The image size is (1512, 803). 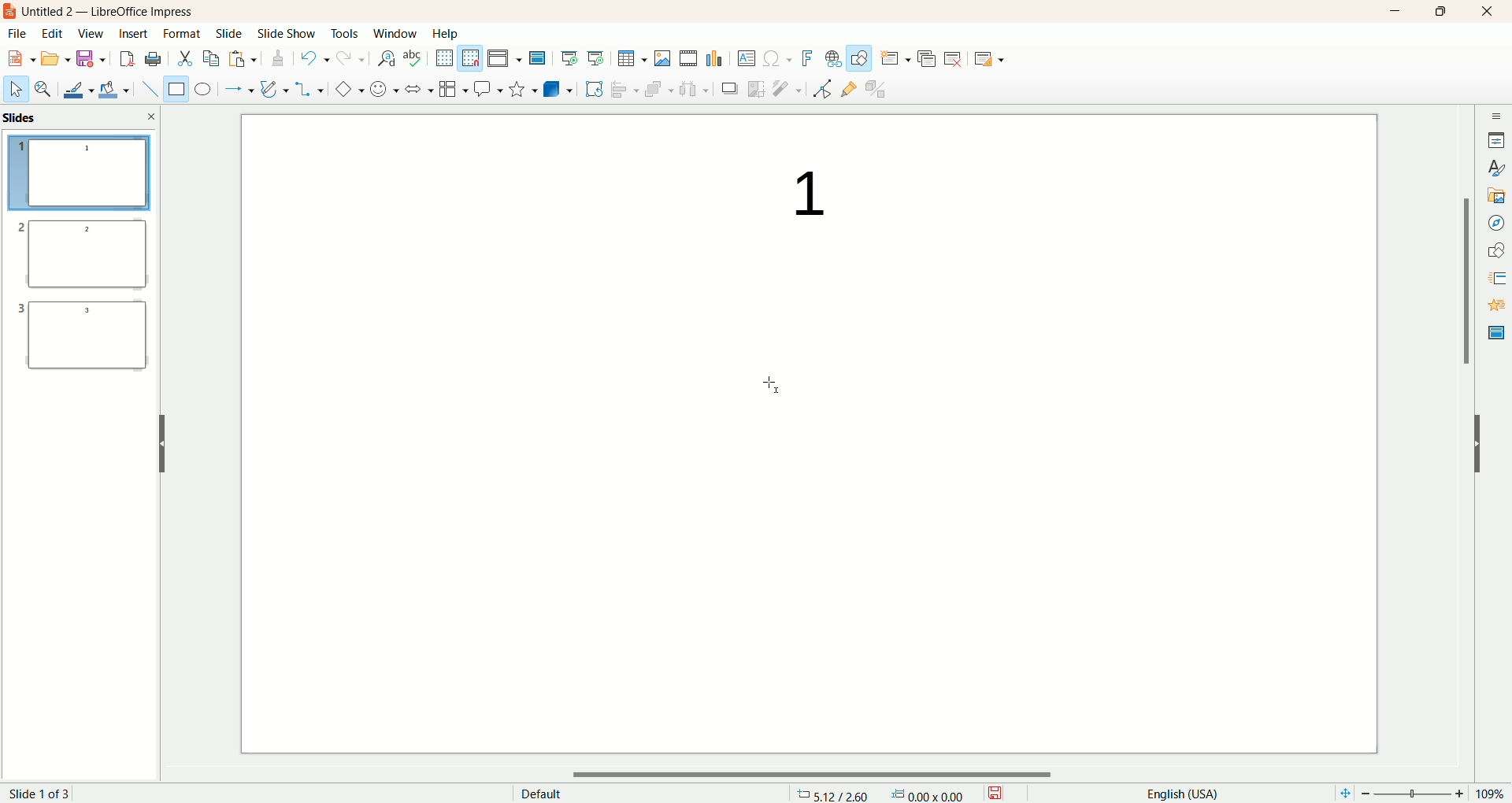 What do you see at coordinates (654, 87) in the screenshot?
I see `arrange` at bounding box center [654, 87].